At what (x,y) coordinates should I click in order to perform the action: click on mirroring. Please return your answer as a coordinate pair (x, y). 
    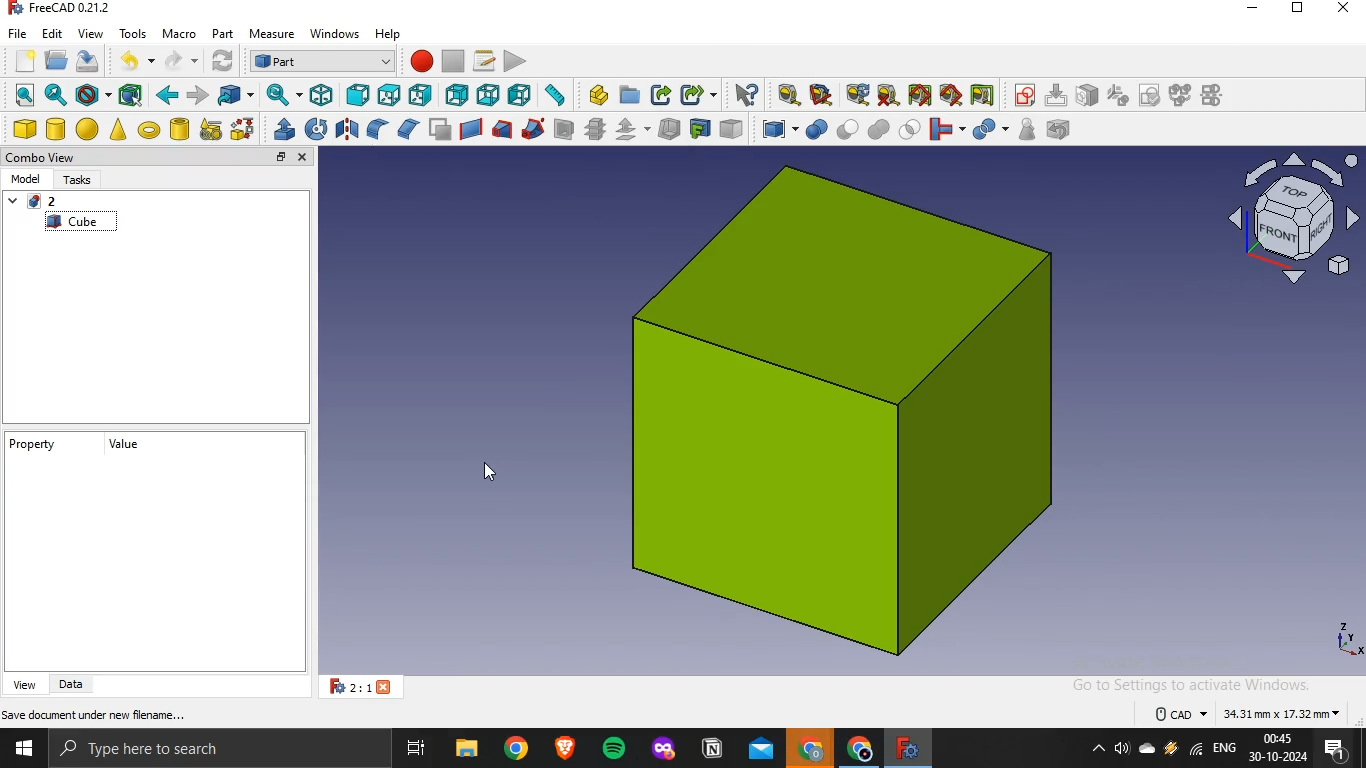
    Looking at the image, I should click on (347, 130).